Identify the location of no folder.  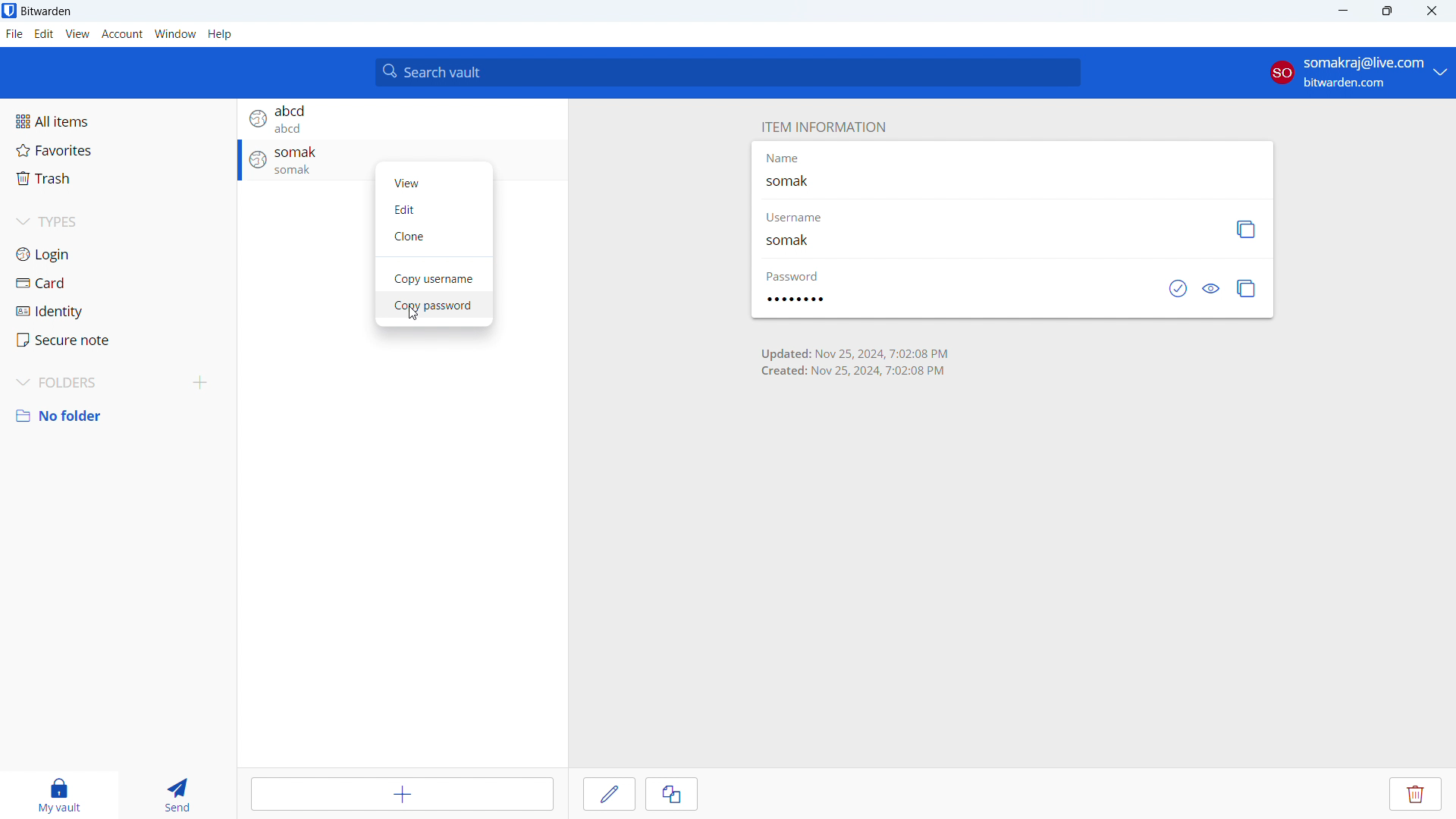
(118, 416).